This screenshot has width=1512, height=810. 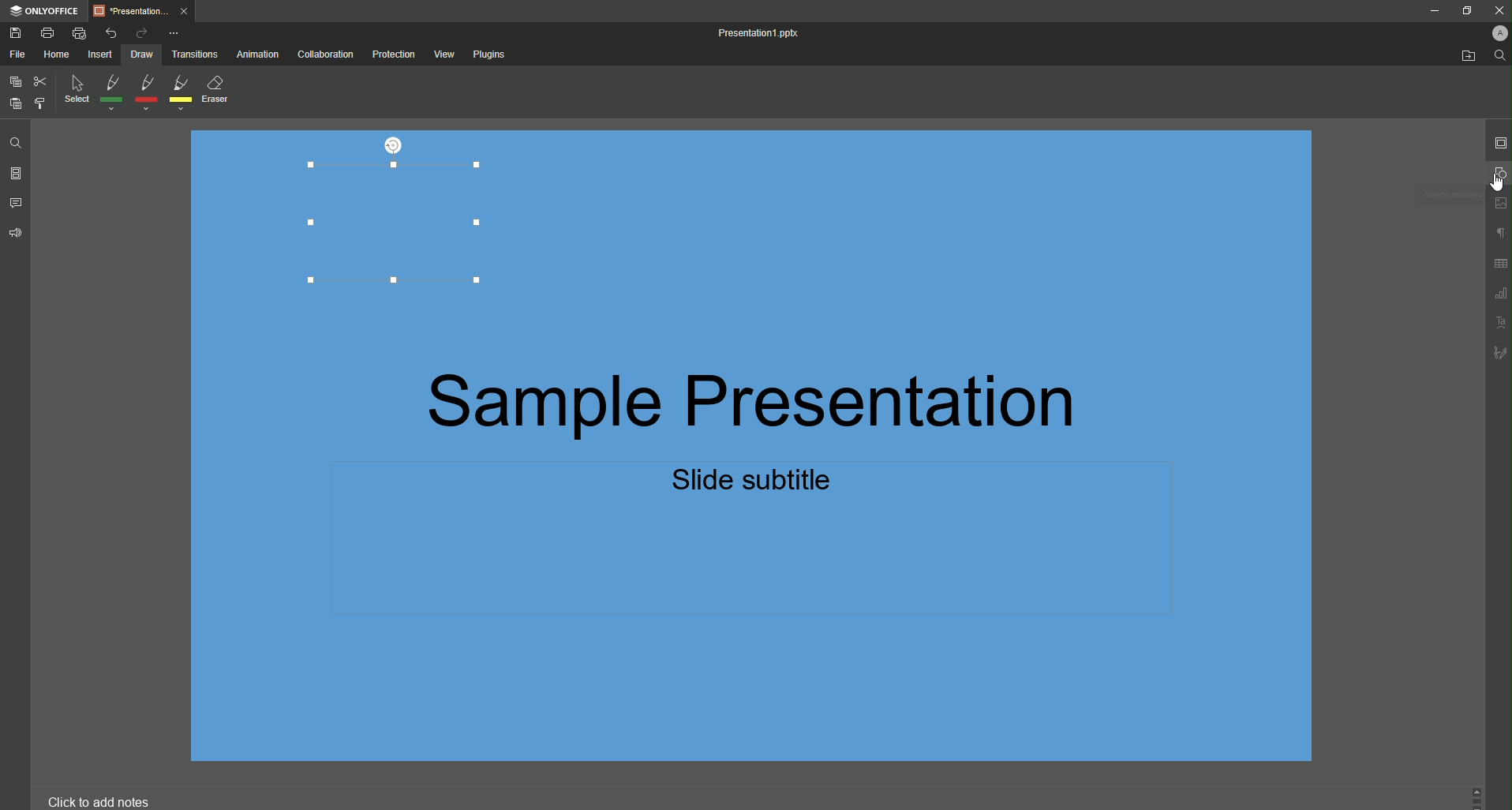 What do you see at coordinates (17, 34) in the screenshot?
I see `Save` at bounding box center [17, 34].